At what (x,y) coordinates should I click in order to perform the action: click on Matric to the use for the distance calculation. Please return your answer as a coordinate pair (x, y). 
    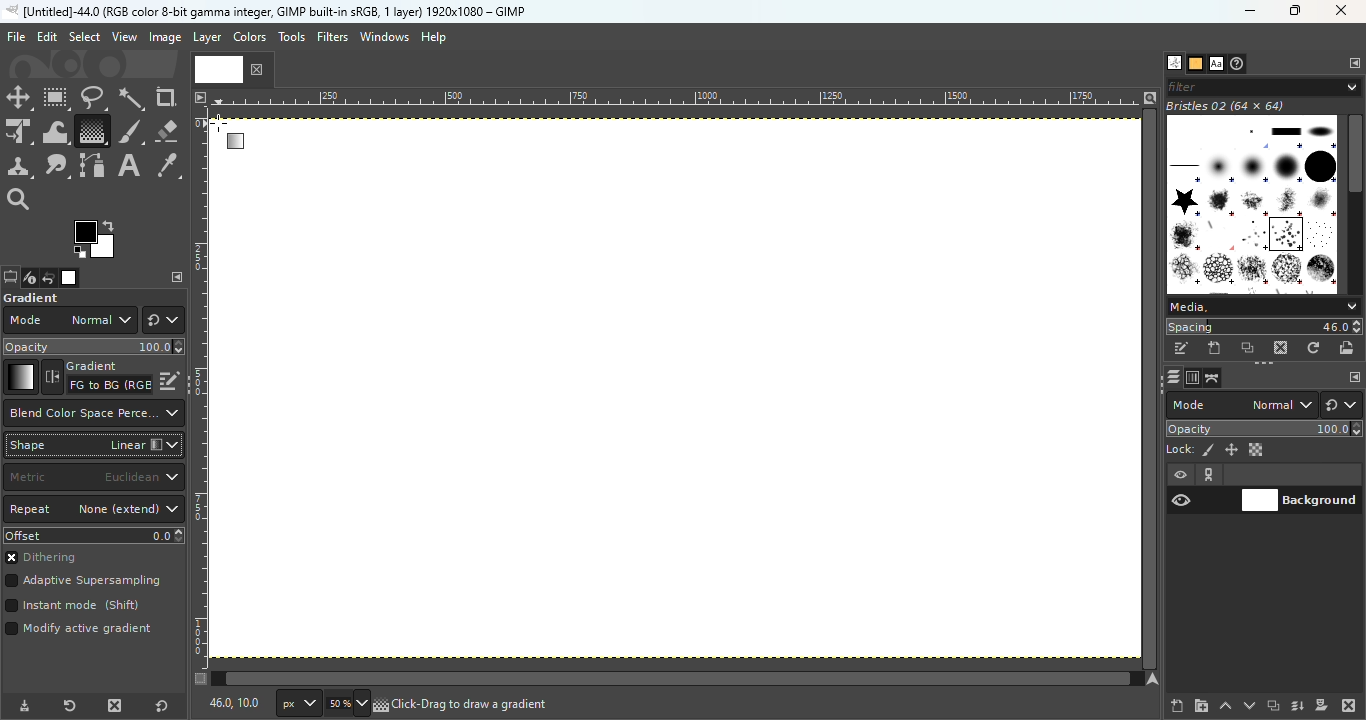
    Looking at the image, I should click on (93, 478).